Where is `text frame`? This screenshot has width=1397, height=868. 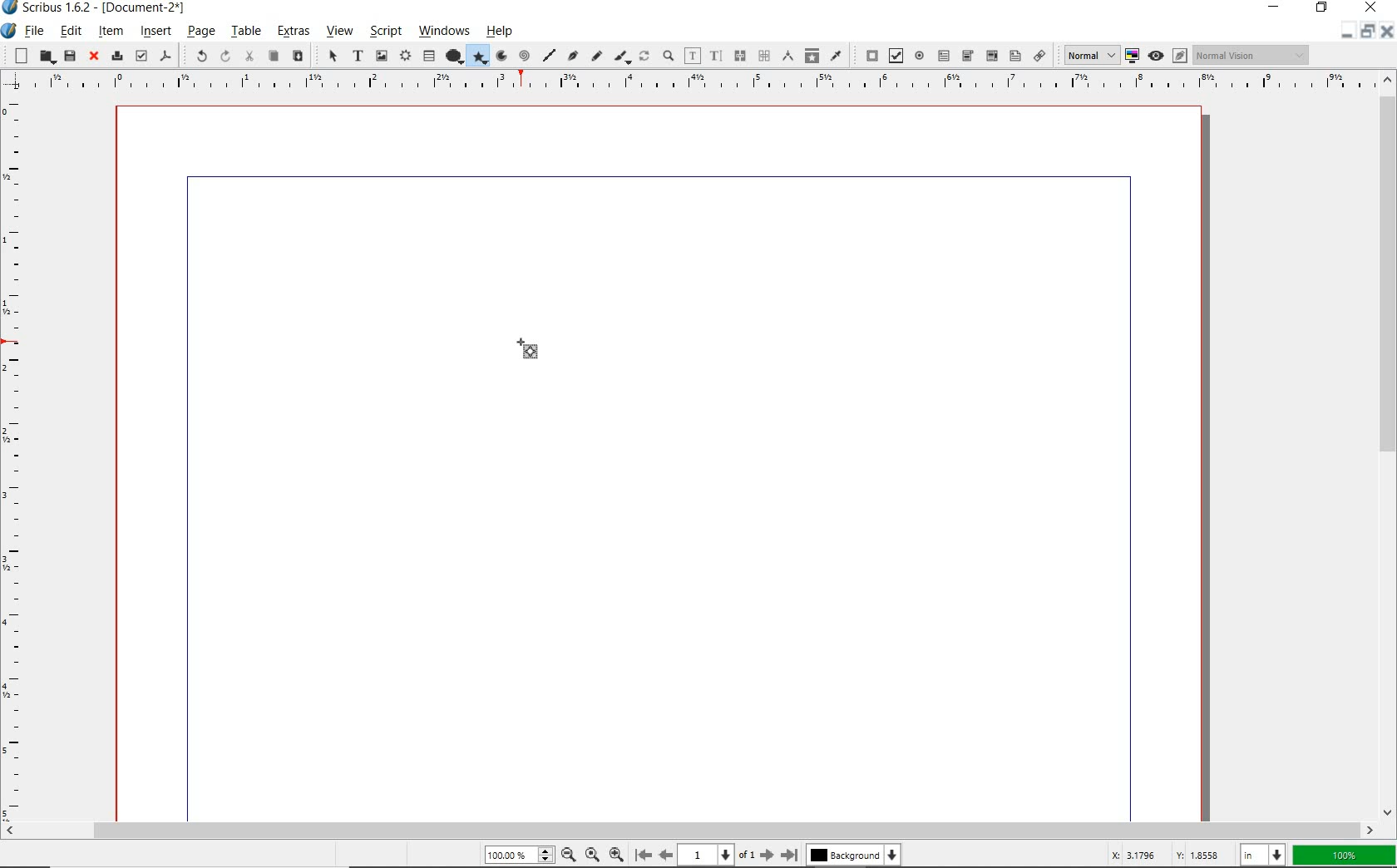
text frame is located at coordinates (358, 57).